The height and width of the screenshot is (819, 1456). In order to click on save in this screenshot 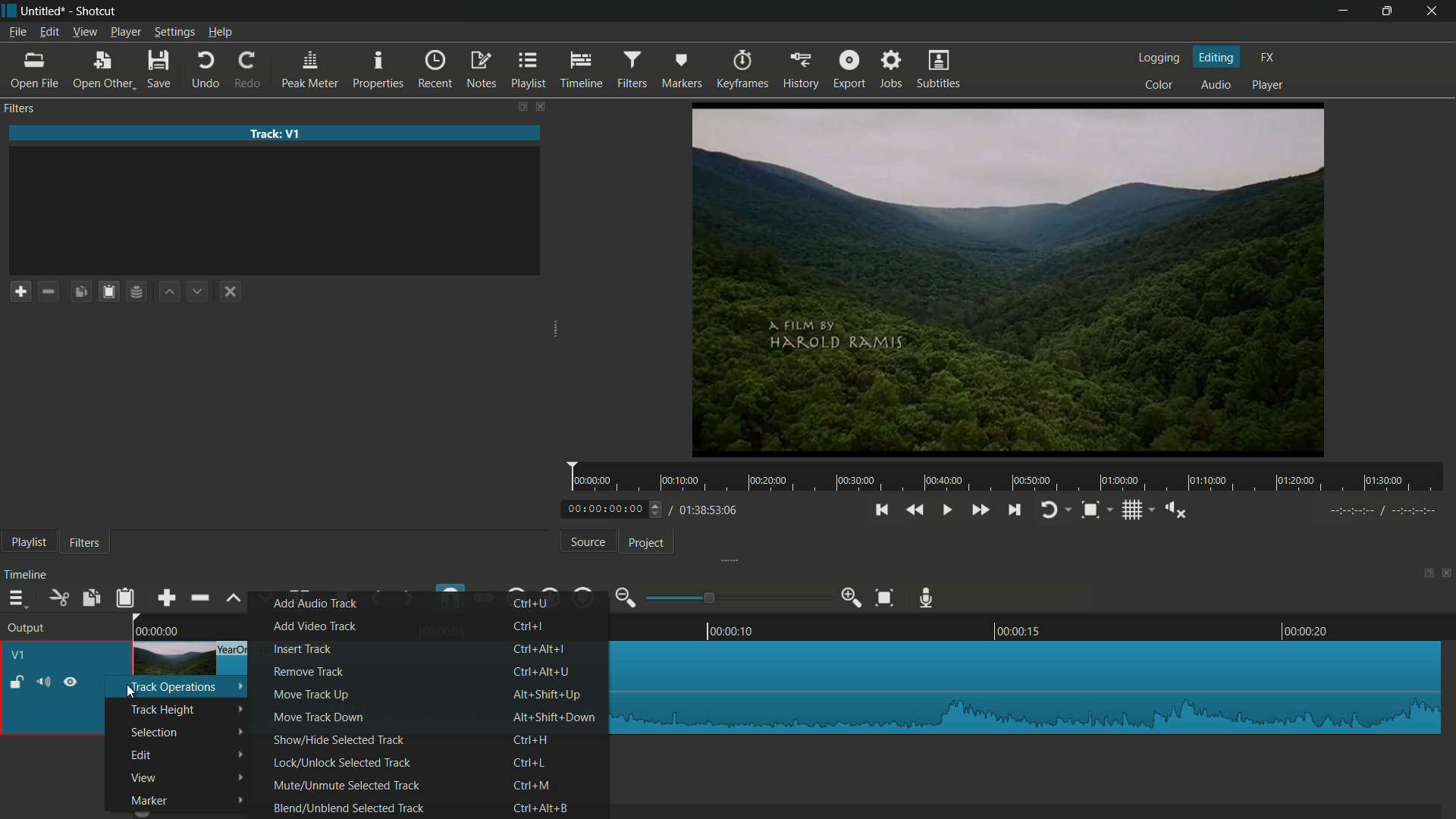, I will do `click(158, 71)`.